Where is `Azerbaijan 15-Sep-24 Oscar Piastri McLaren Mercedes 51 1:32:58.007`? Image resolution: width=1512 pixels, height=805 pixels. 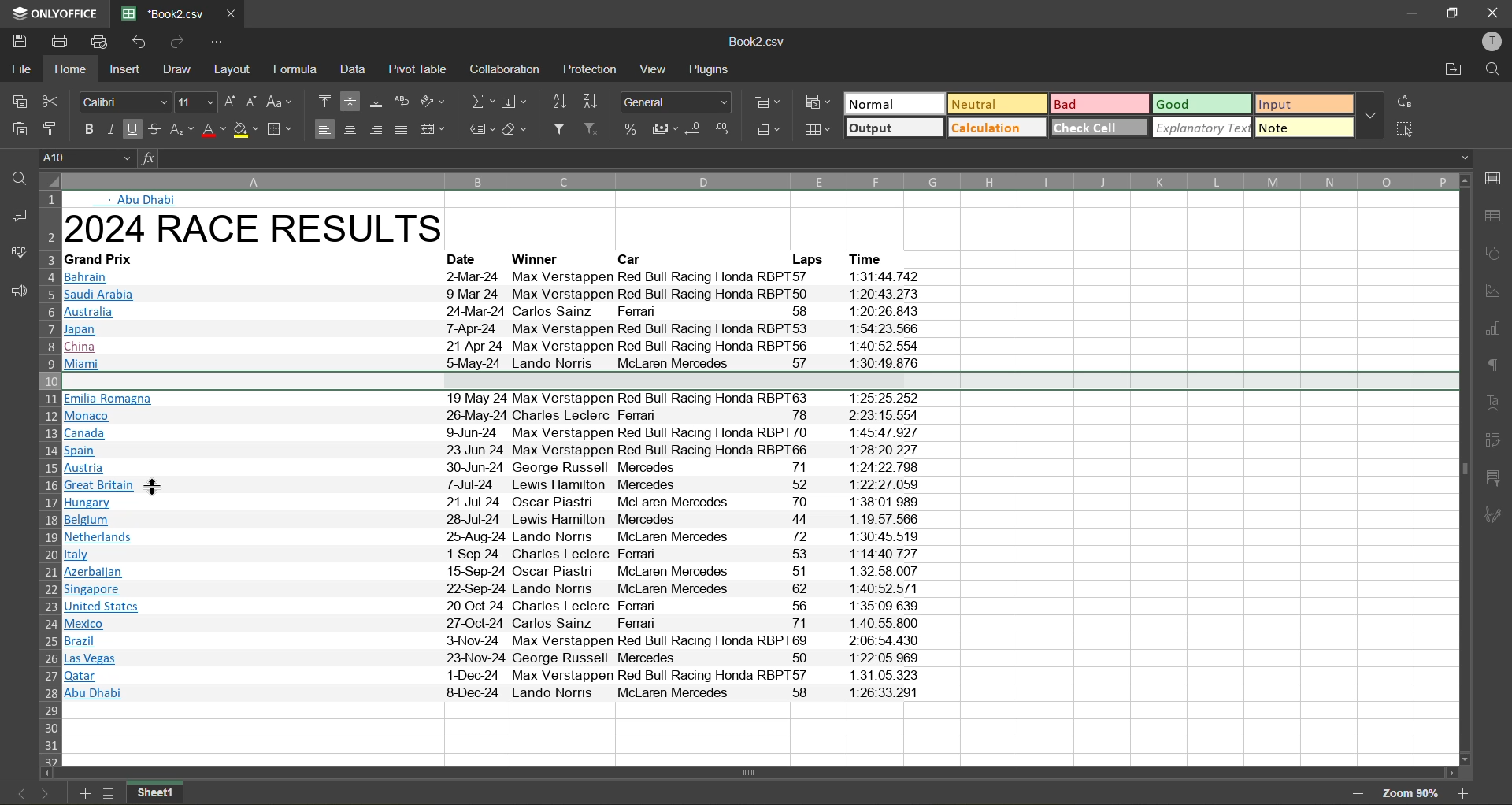 Azerbaijan 15-Sep-24 Oscar Piastri McLaren Mercedes 51 1:32:58.007 is located at coordinates (495, 572).